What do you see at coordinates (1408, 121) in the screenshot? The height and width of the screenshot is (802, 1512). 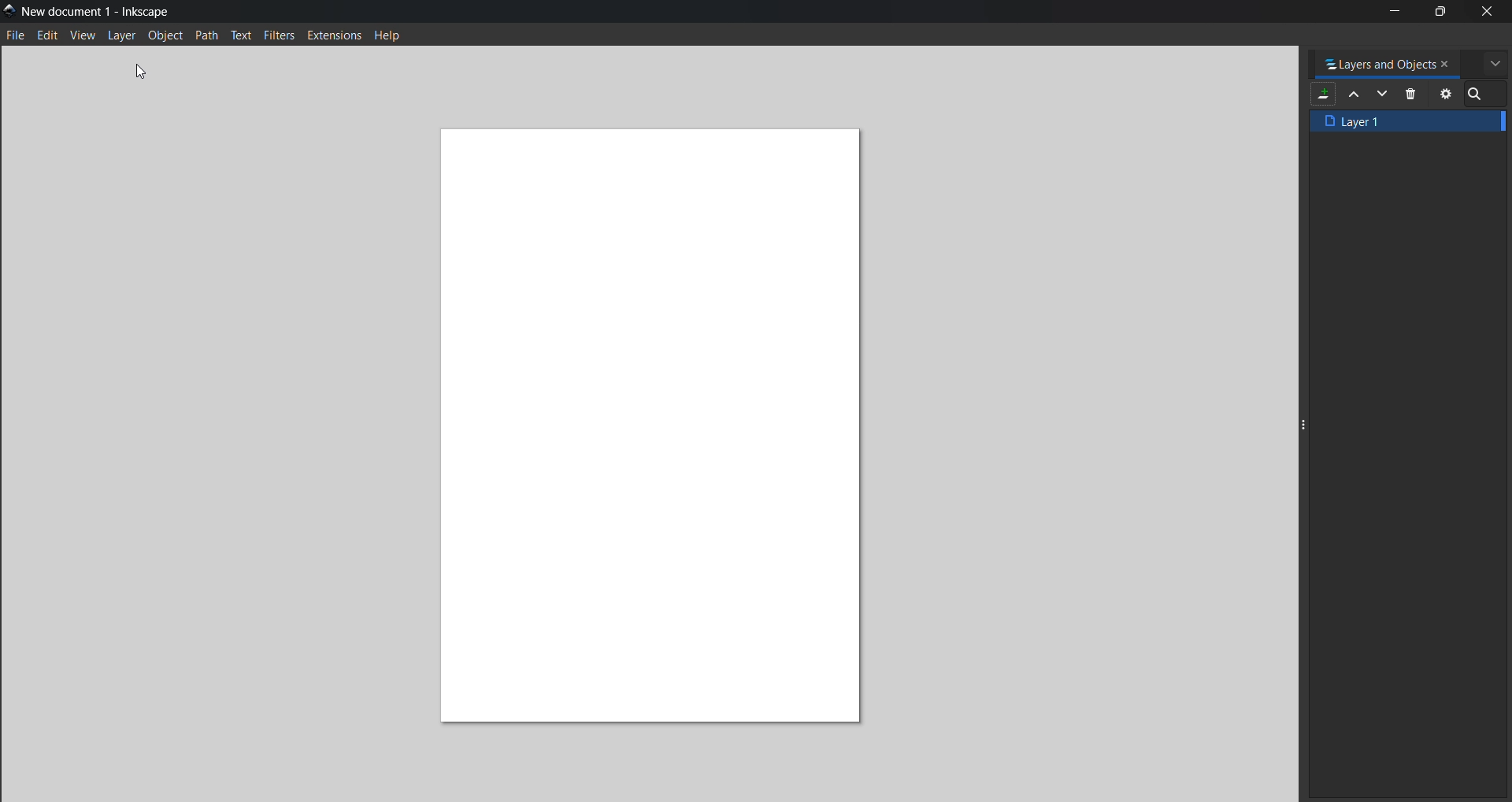 I see `current layer` at bounding box center [1408, 121].